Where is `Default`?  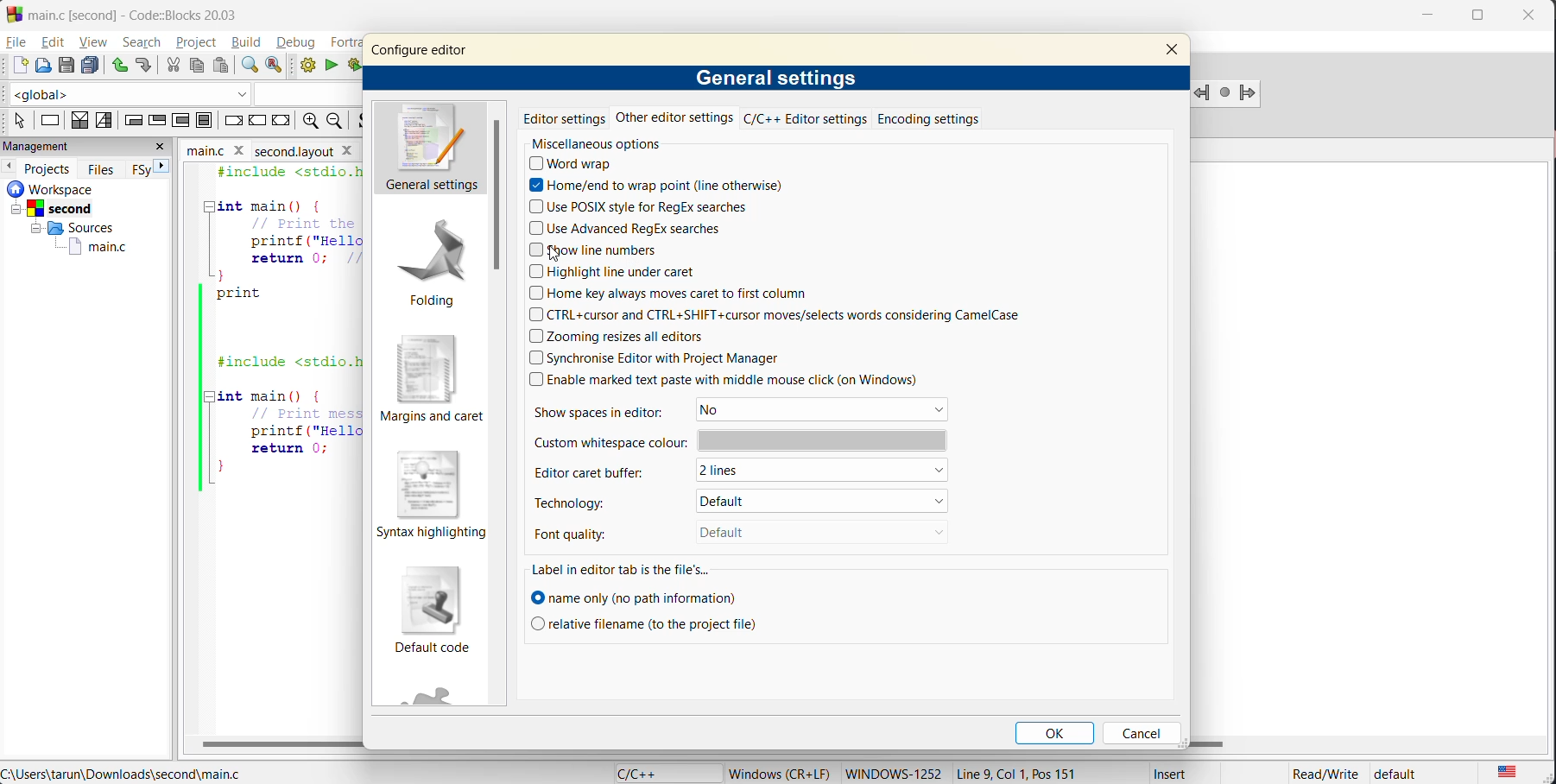
Default is located at coordinates (784, 533).